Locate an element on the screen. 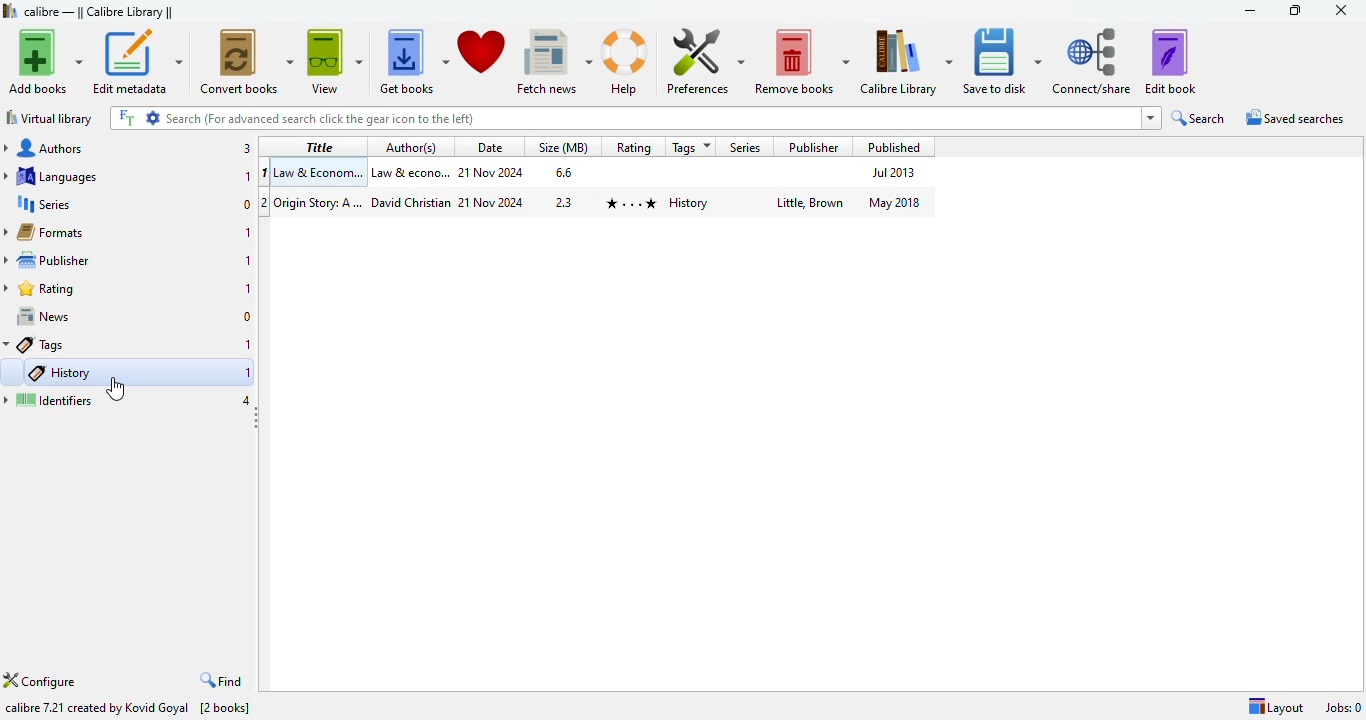  4 is located at coordinates (246, 398).